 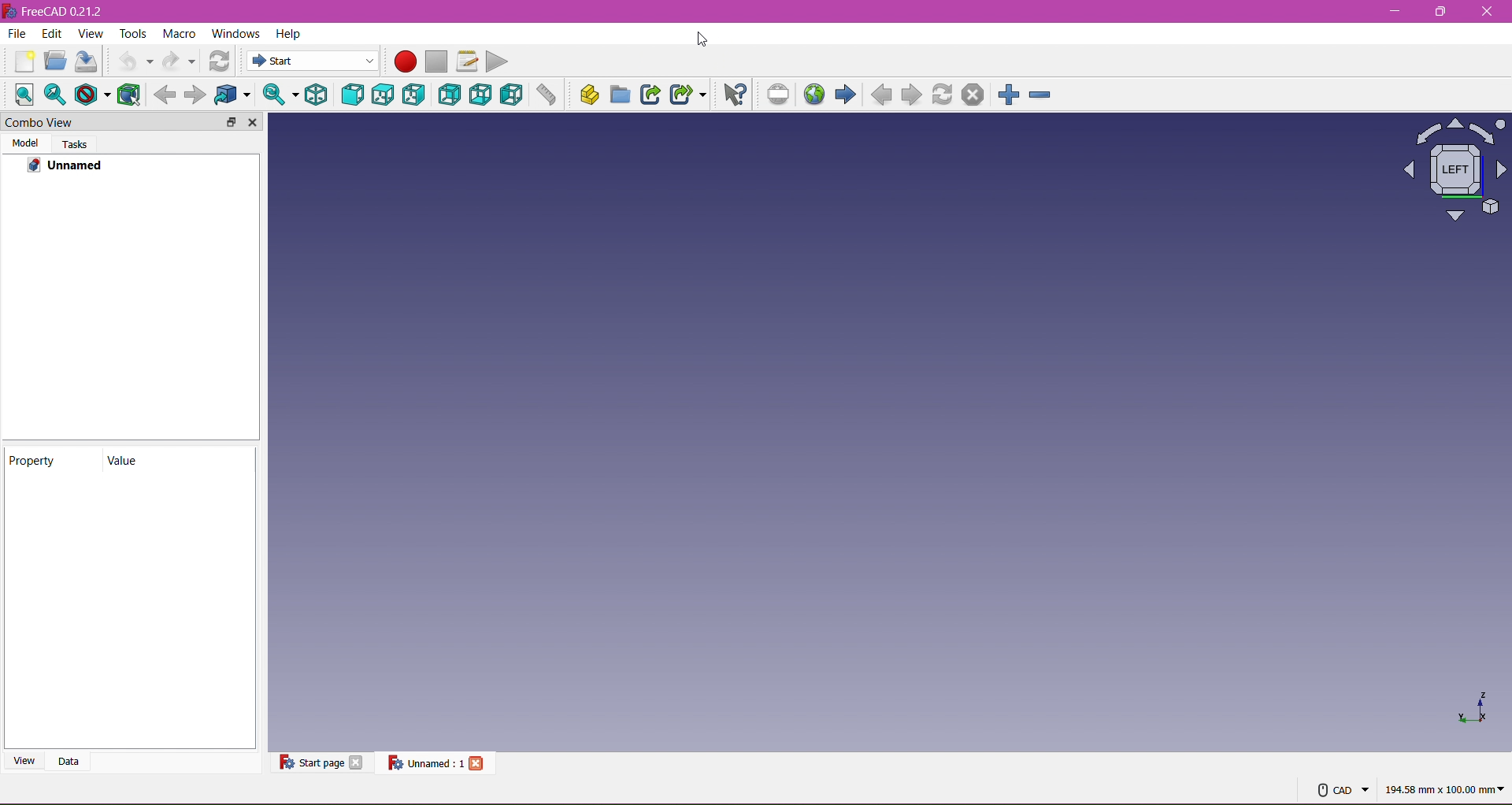 What do you see at coordinates (481, 95) in the screenshot?
I see `Bottom` at bounding box center [481, 95].